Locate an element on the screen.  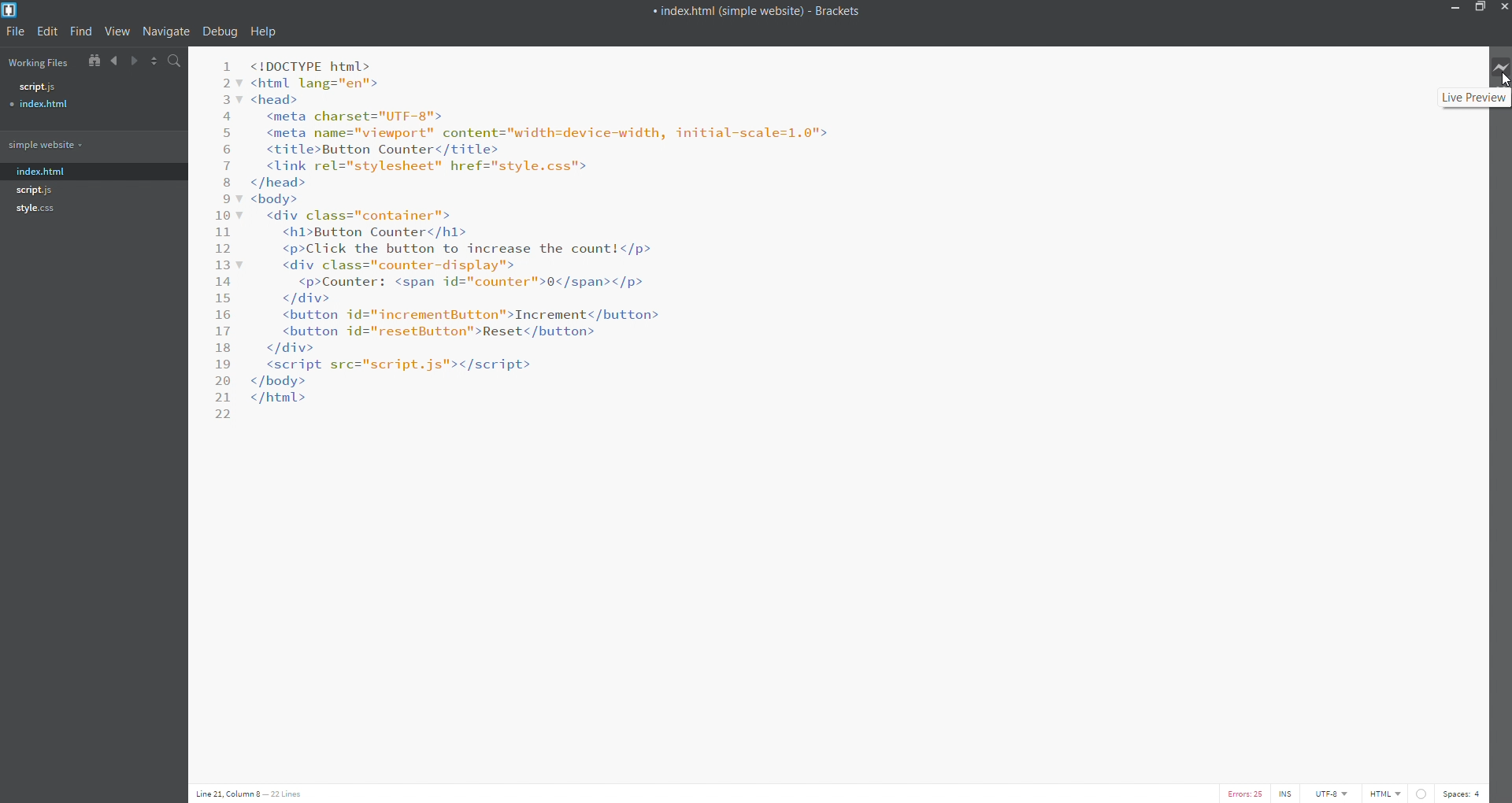
help is located at coordinates (263, 31).